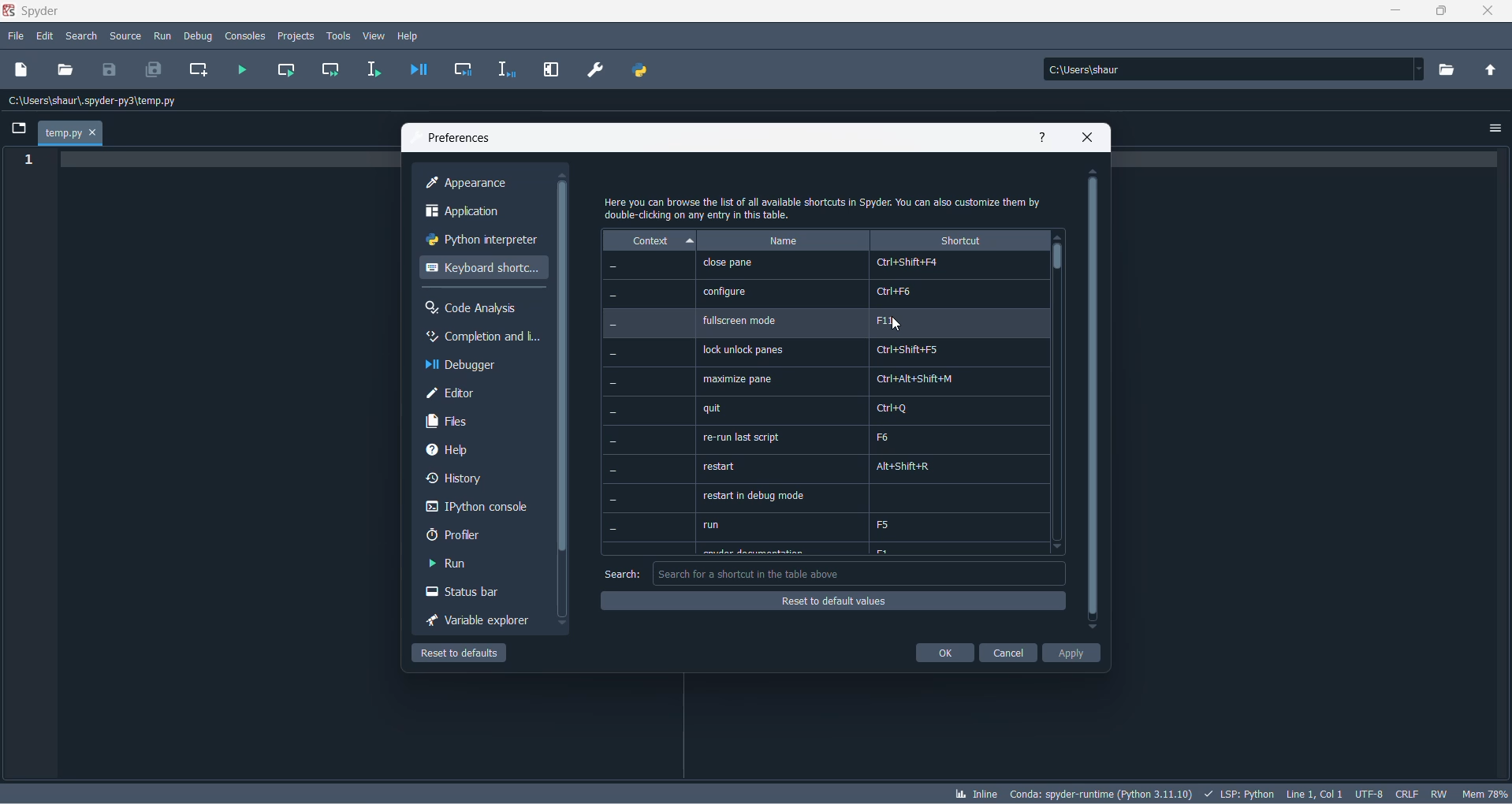 This screenshot has height=804, width=1512. I want to click on ‘maximize pane, so click(736, 378).